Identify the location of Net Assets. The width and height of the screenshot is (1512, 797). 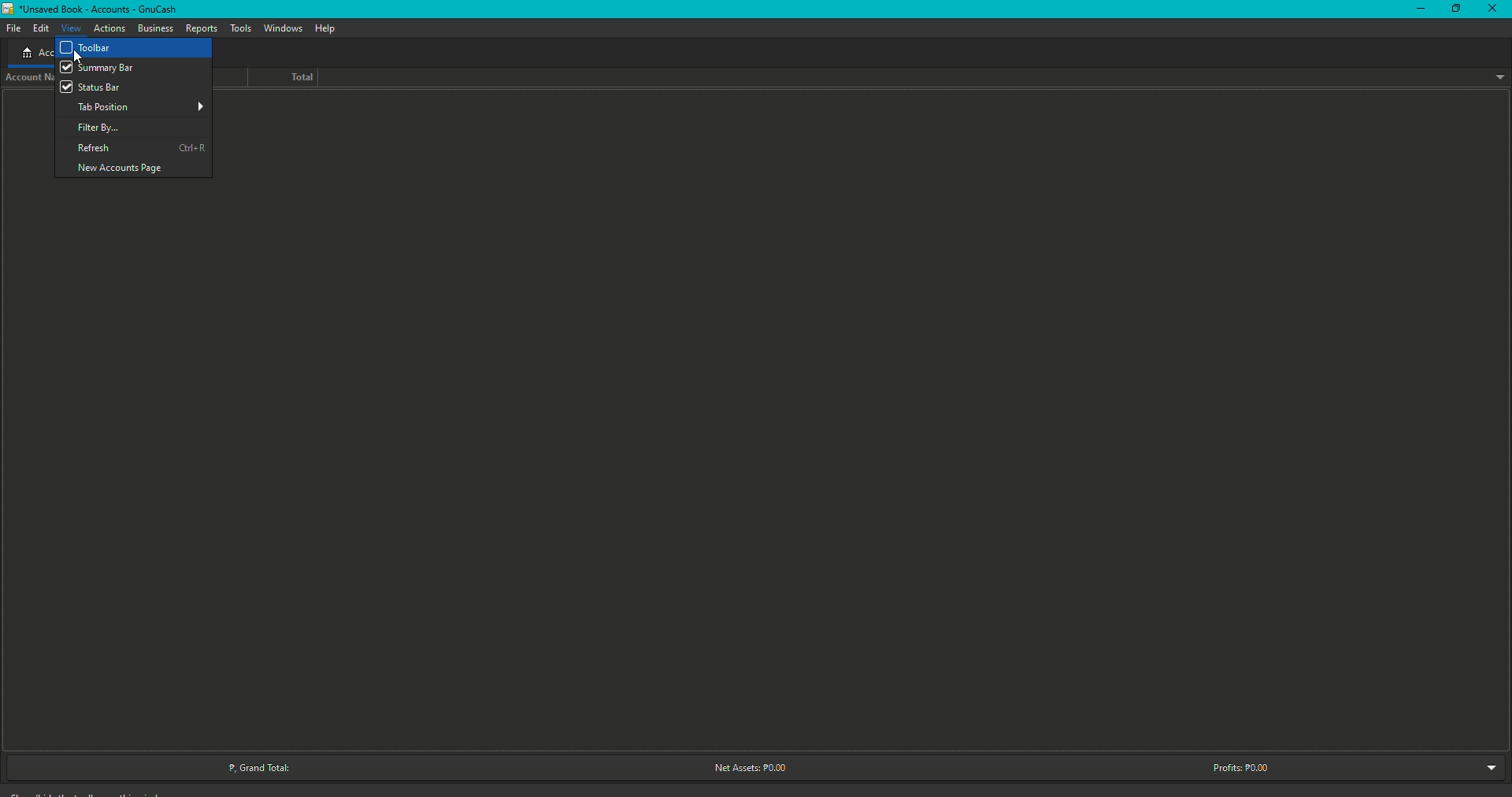
(749, 766).